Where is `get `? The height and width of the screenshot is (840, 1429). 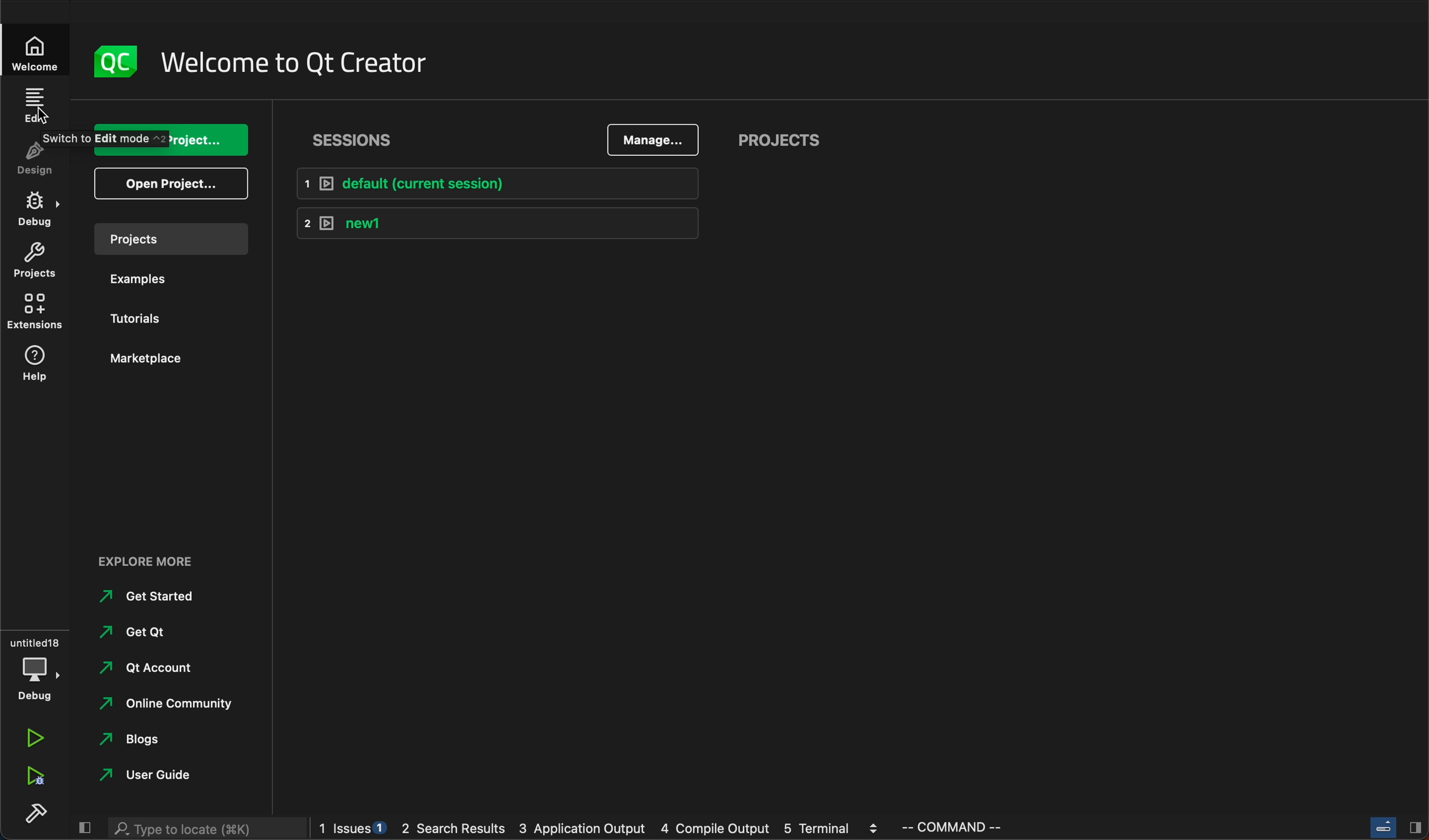
get  is located at coordinates (143, 630).